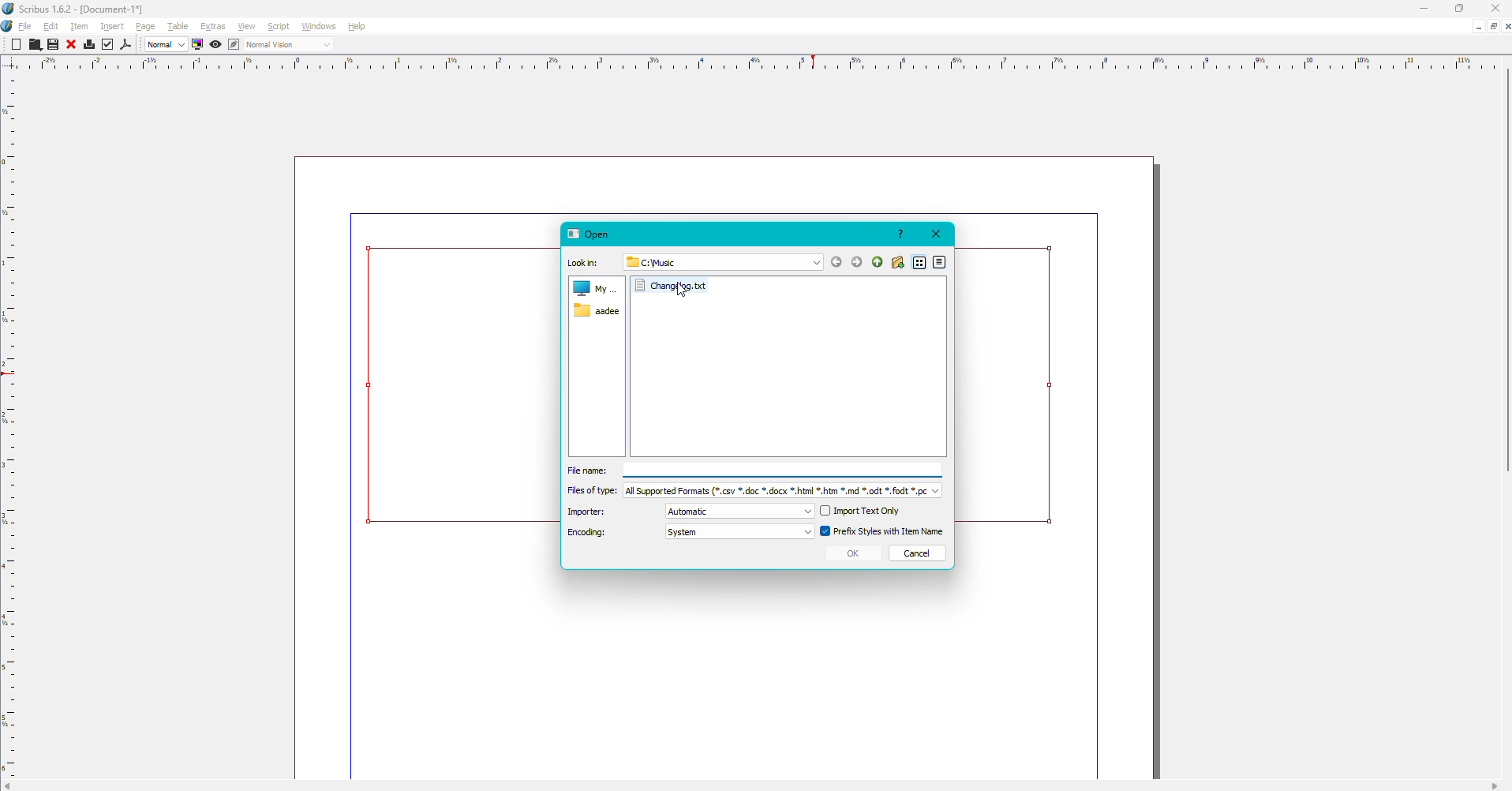  I want to click on change view, so click(921, 264).